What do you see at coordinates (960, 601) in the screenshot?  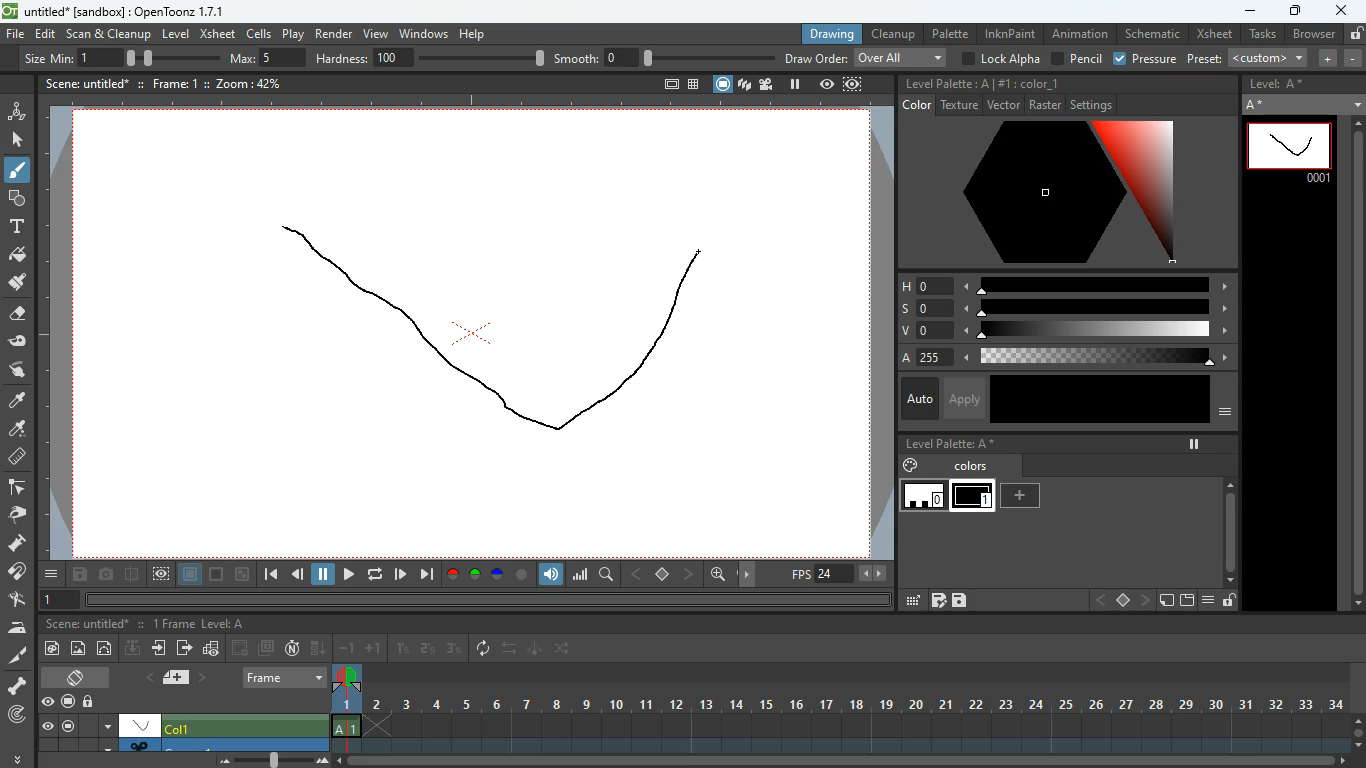 I see `save` at bounding box center [960, 601].